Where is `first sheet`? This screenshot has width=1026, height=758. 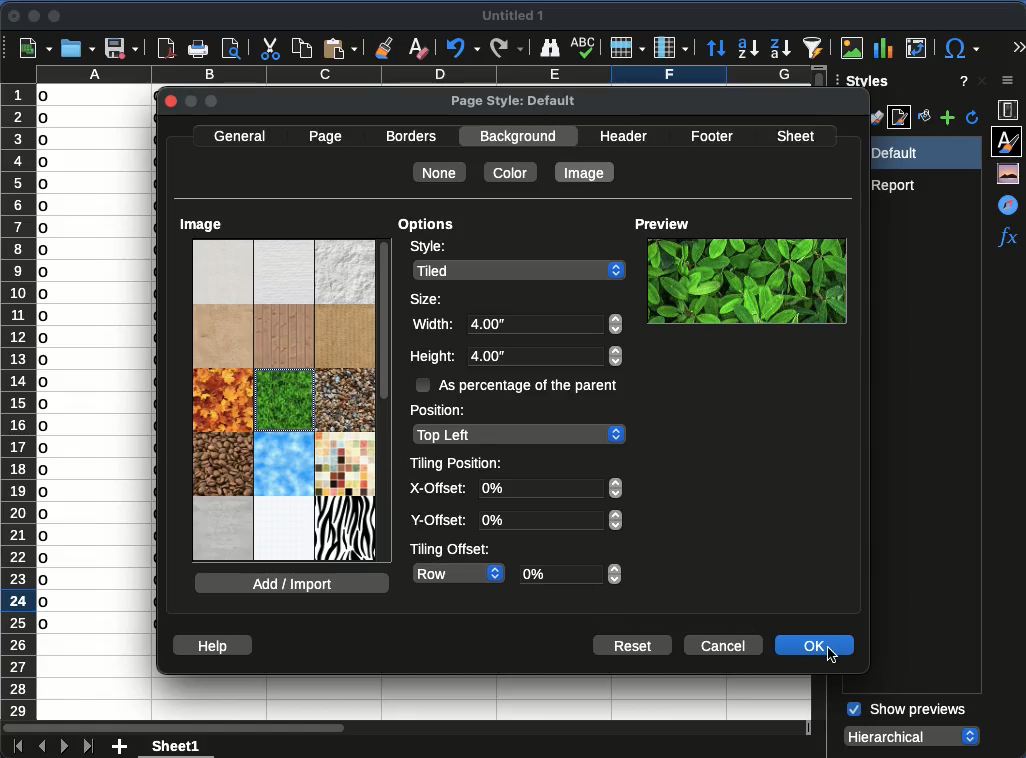
first sheet is located at coordinates (15, 745).